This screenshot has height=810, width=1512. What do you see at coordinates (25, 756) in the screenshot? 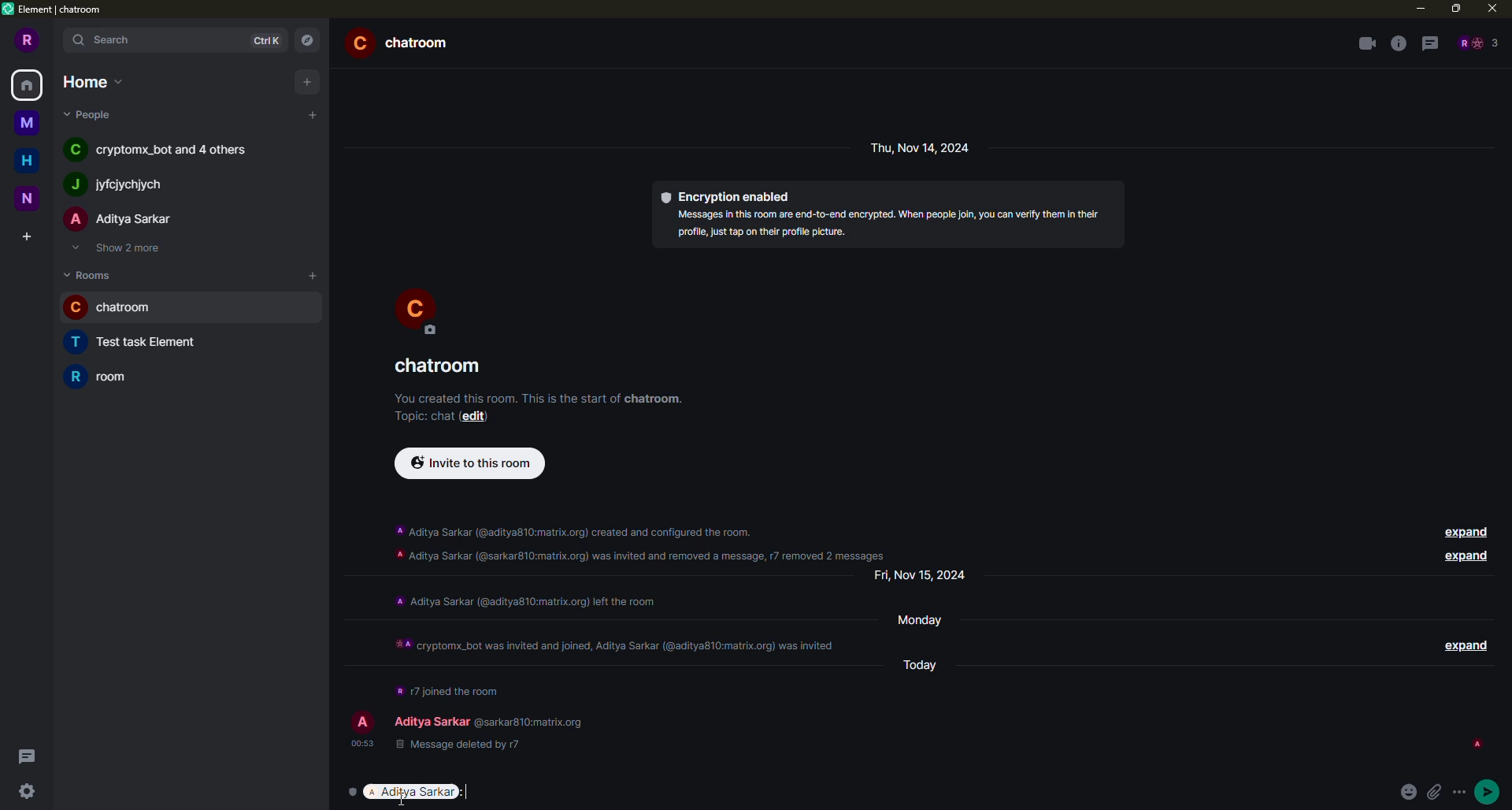
I see `threads` at bounding box center [25, 756].